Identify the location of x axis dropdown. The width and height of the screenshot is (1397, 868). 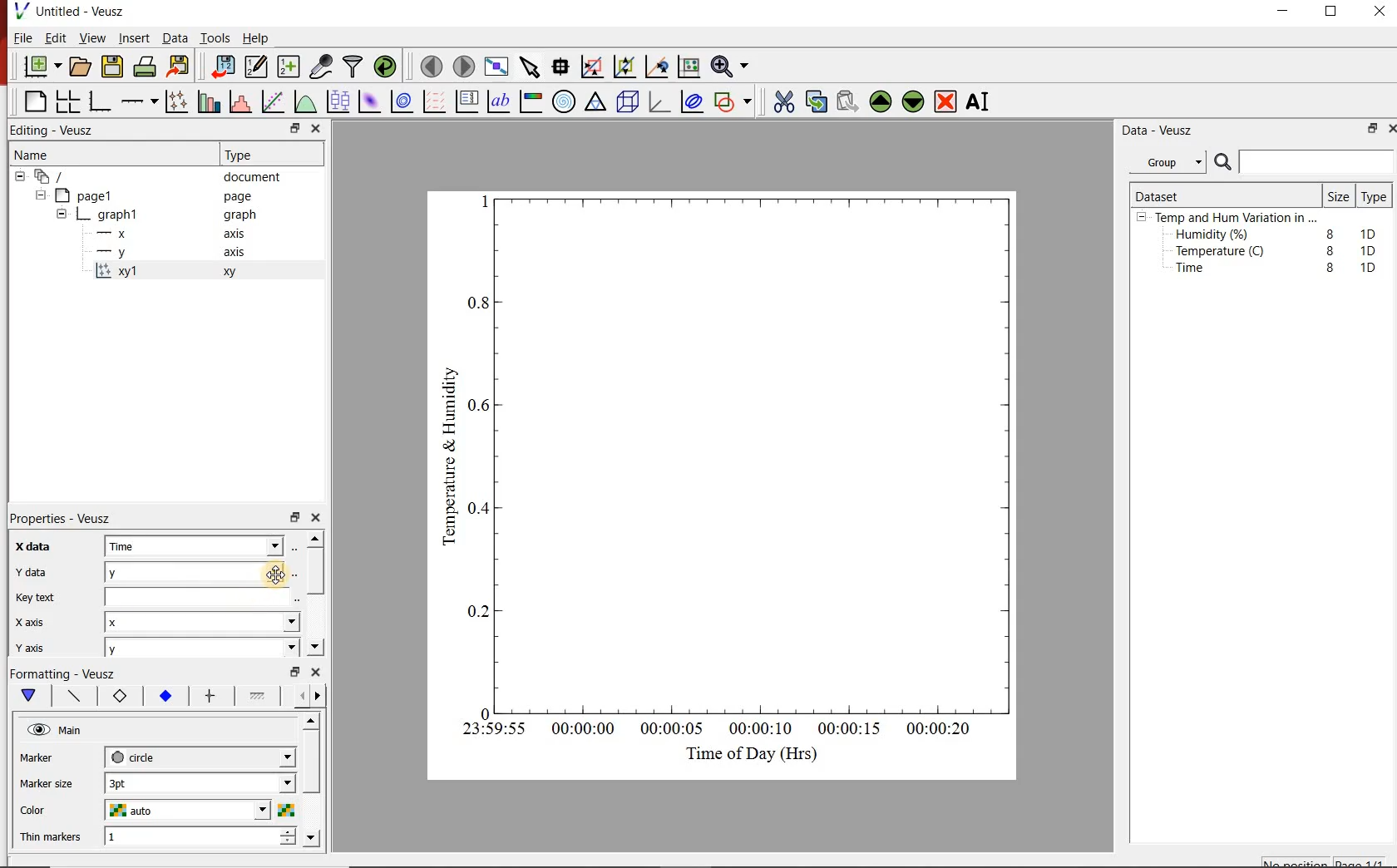
(273, 623).